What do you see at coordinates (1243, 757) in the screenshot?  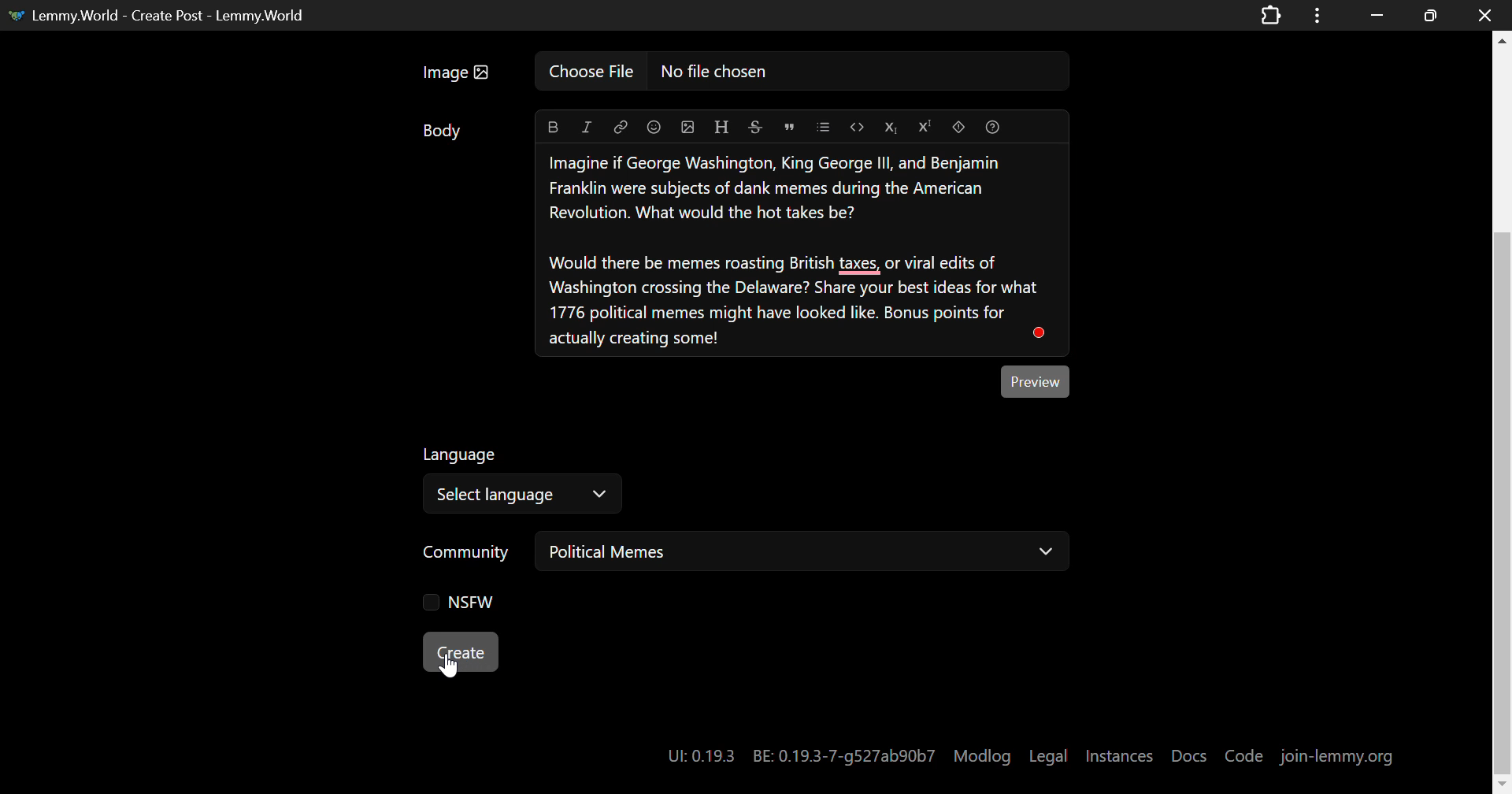 I see `Code` at bounding box center [1243, 757].